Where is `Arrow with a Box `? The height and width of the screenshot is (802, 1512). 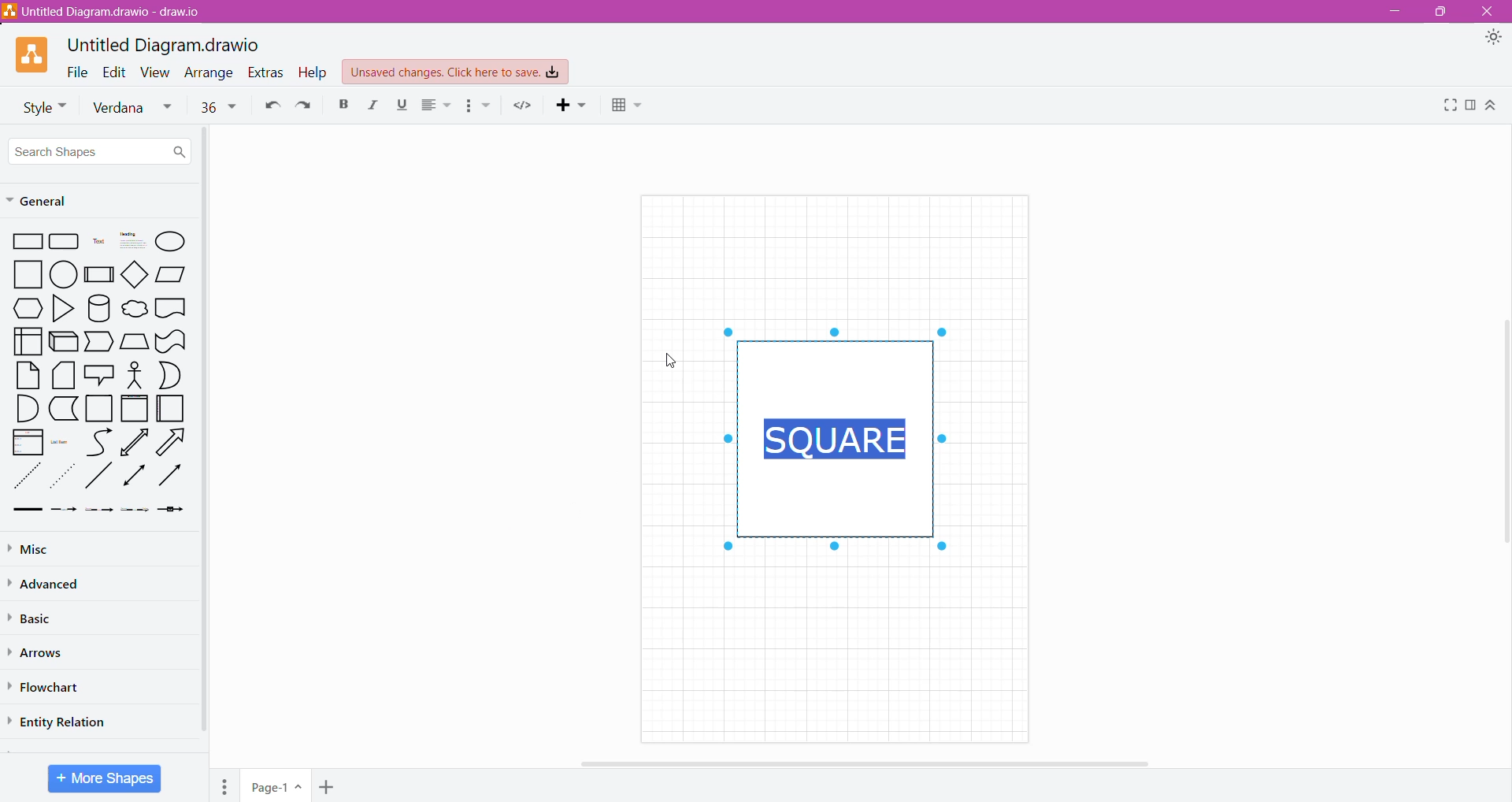 Arrow with a Box  is located at coordinates (173, 512).